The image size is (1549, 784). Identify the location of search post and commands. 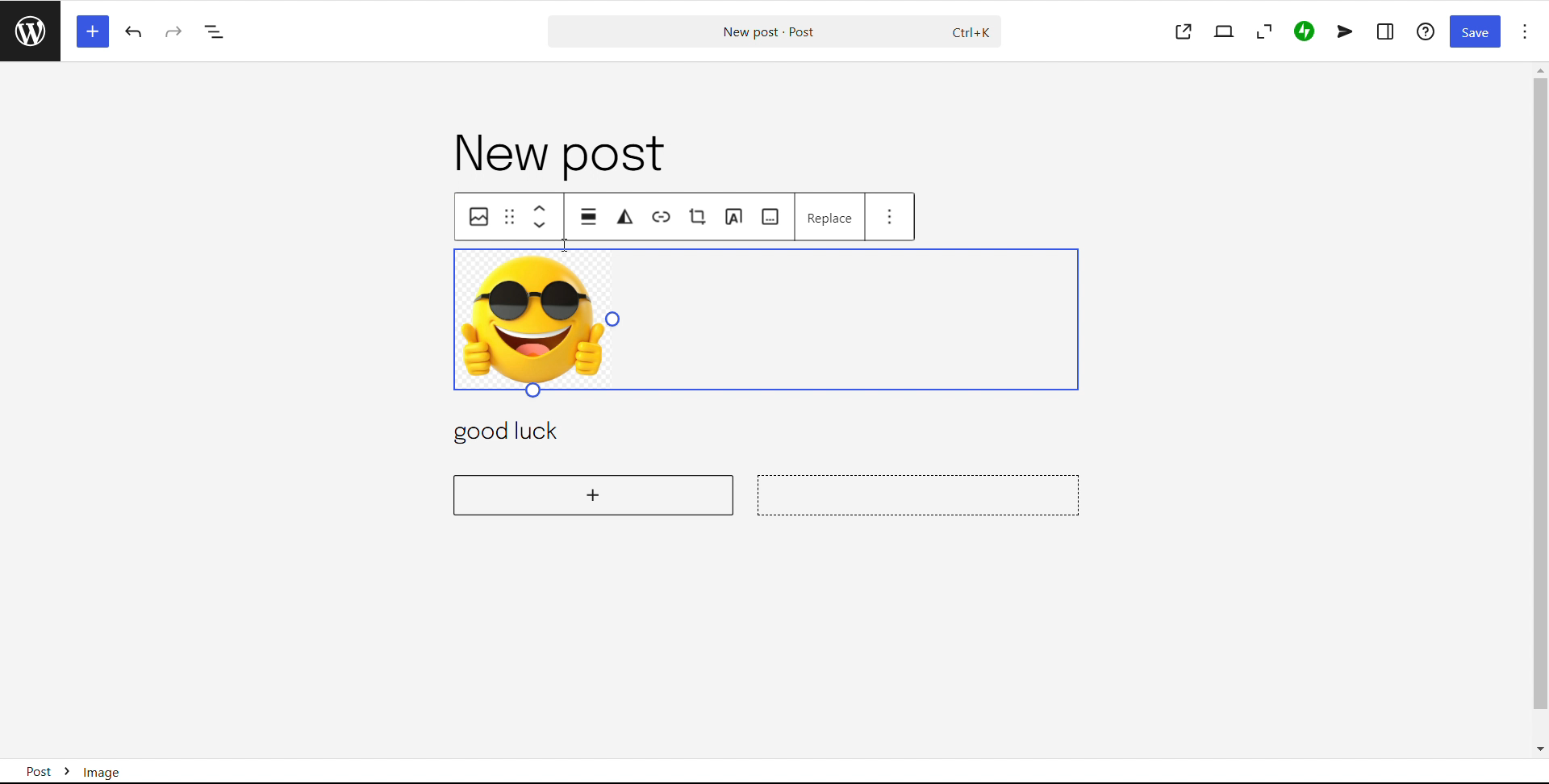
(774, 32).